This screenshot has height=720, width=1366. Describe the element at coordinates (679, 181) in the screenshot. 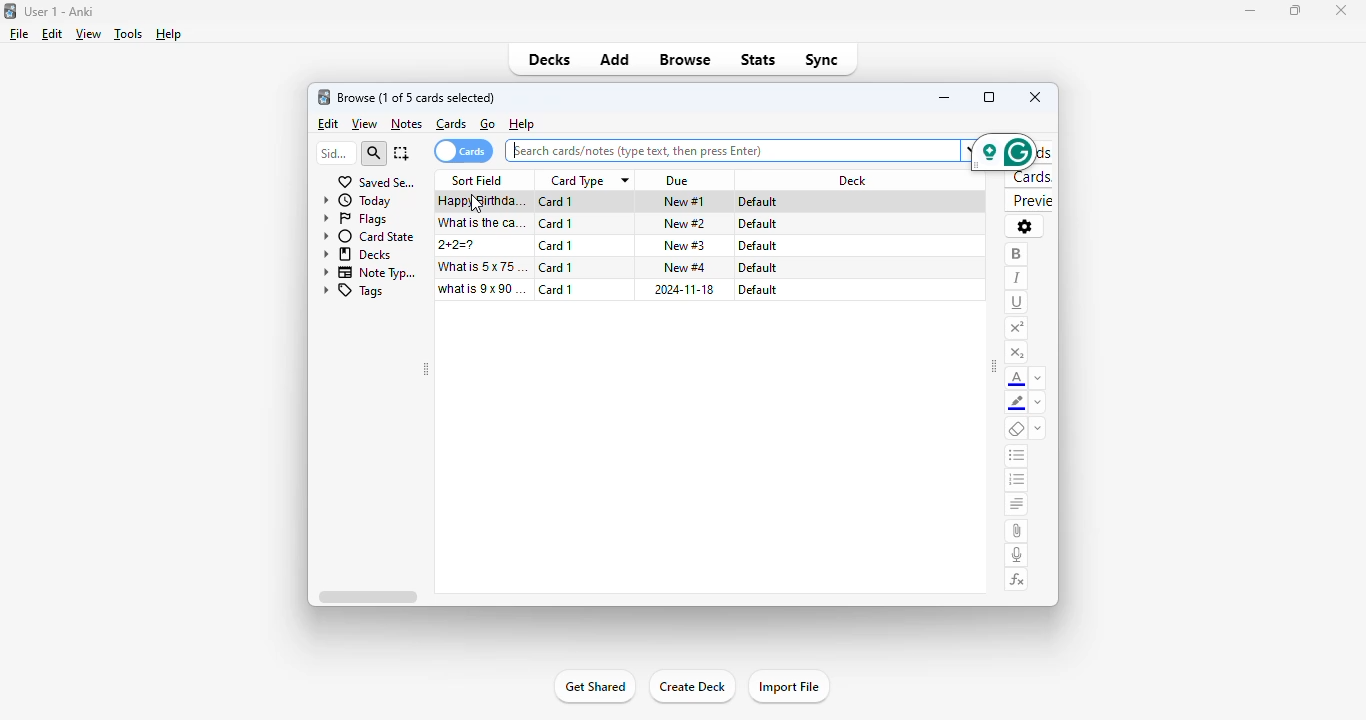

I see `due` at that location.